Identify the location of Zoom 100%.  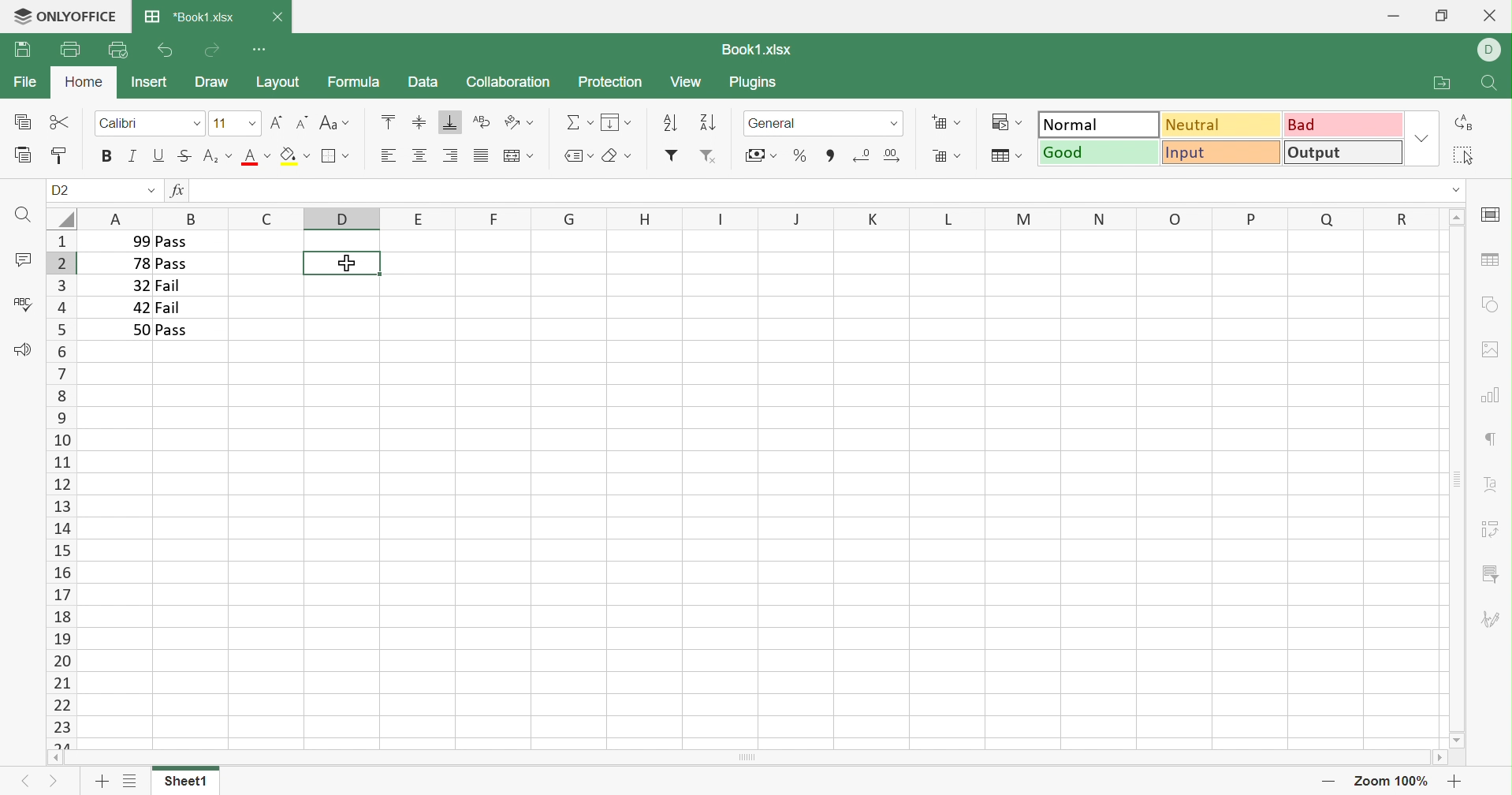
(1392, 782).